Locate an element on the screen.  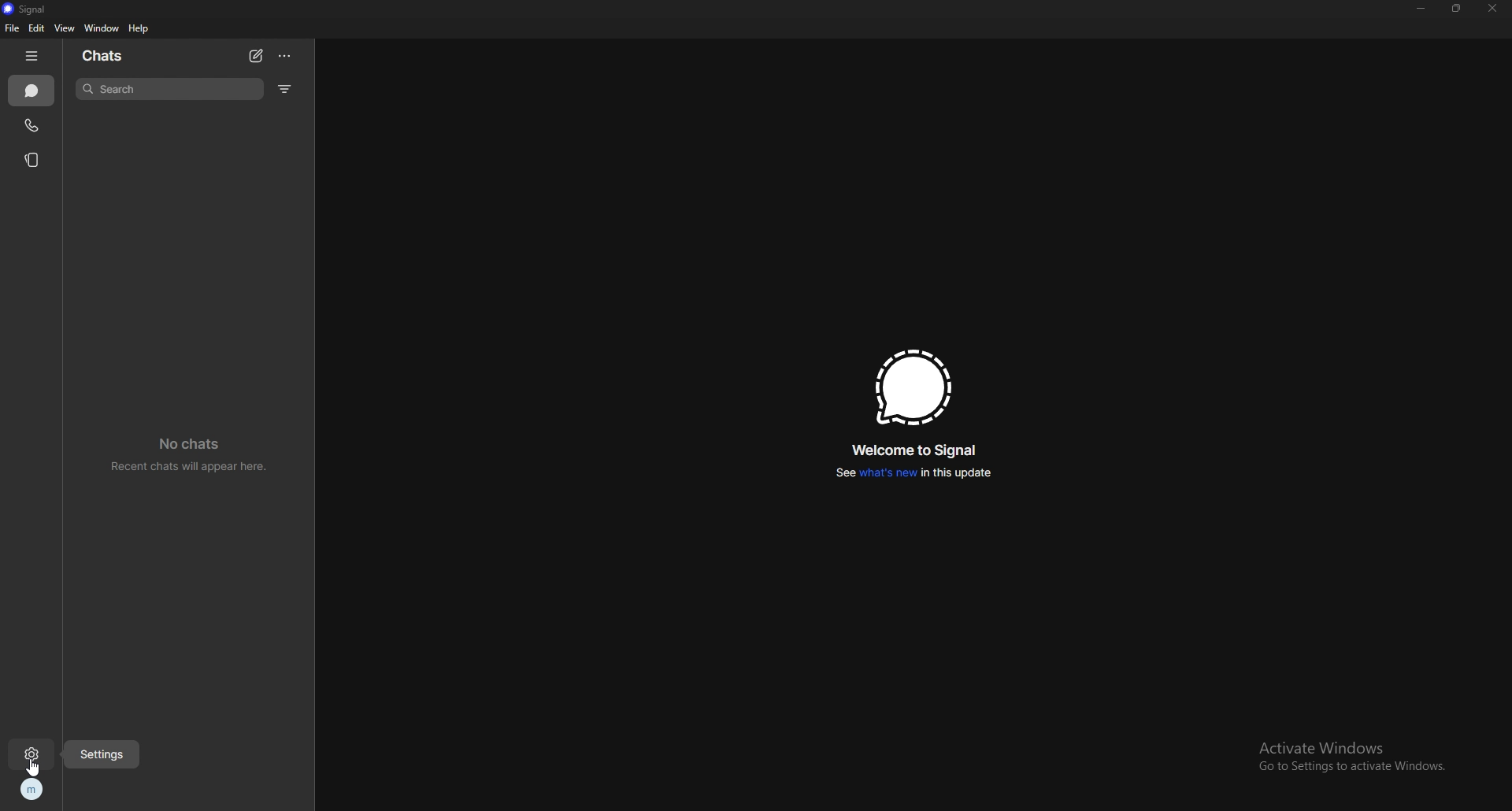
chats is located at coordinates (32, 91).